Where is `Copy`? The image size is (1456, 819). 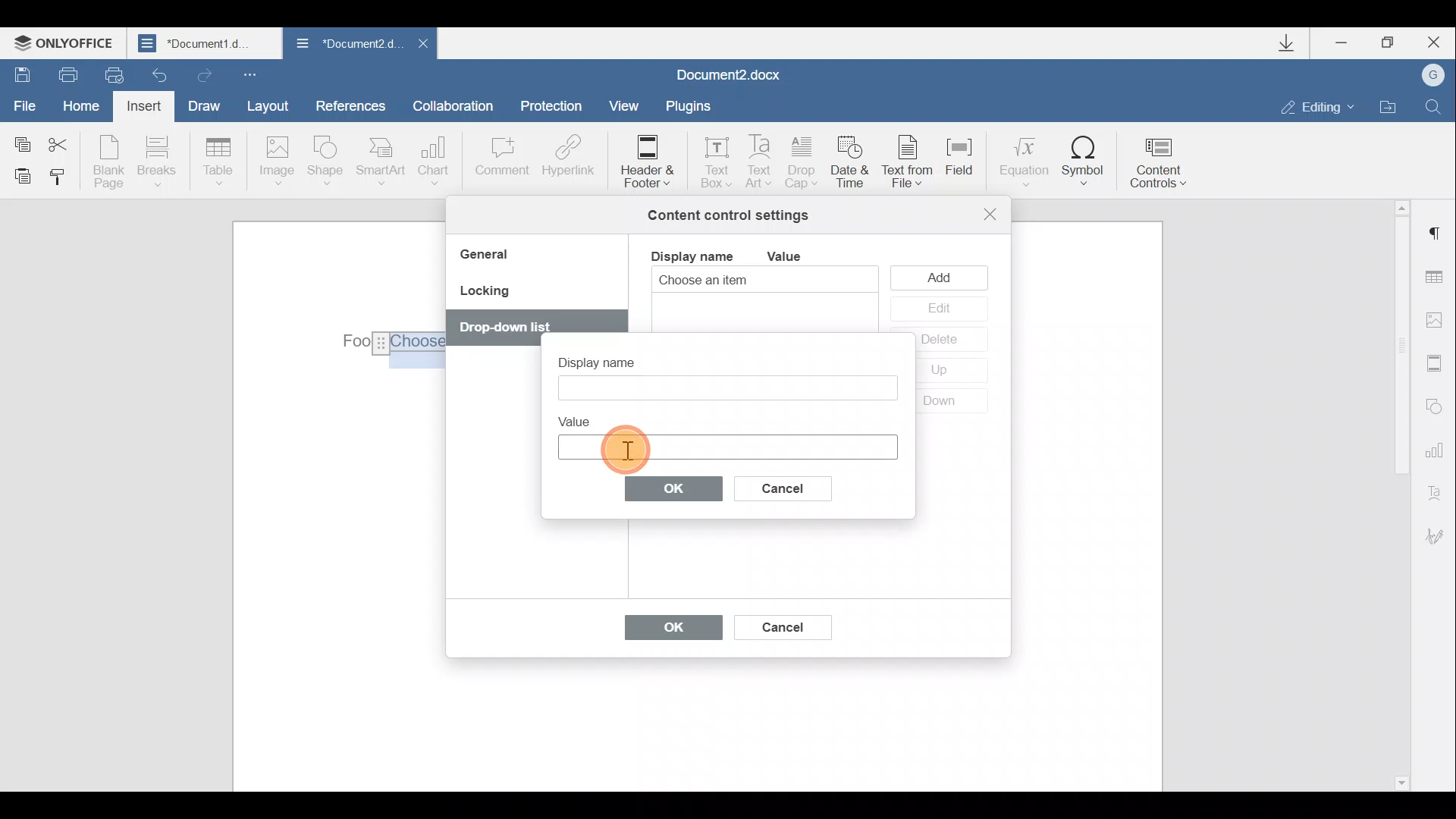 Copy is located at coordinates (21, 141).